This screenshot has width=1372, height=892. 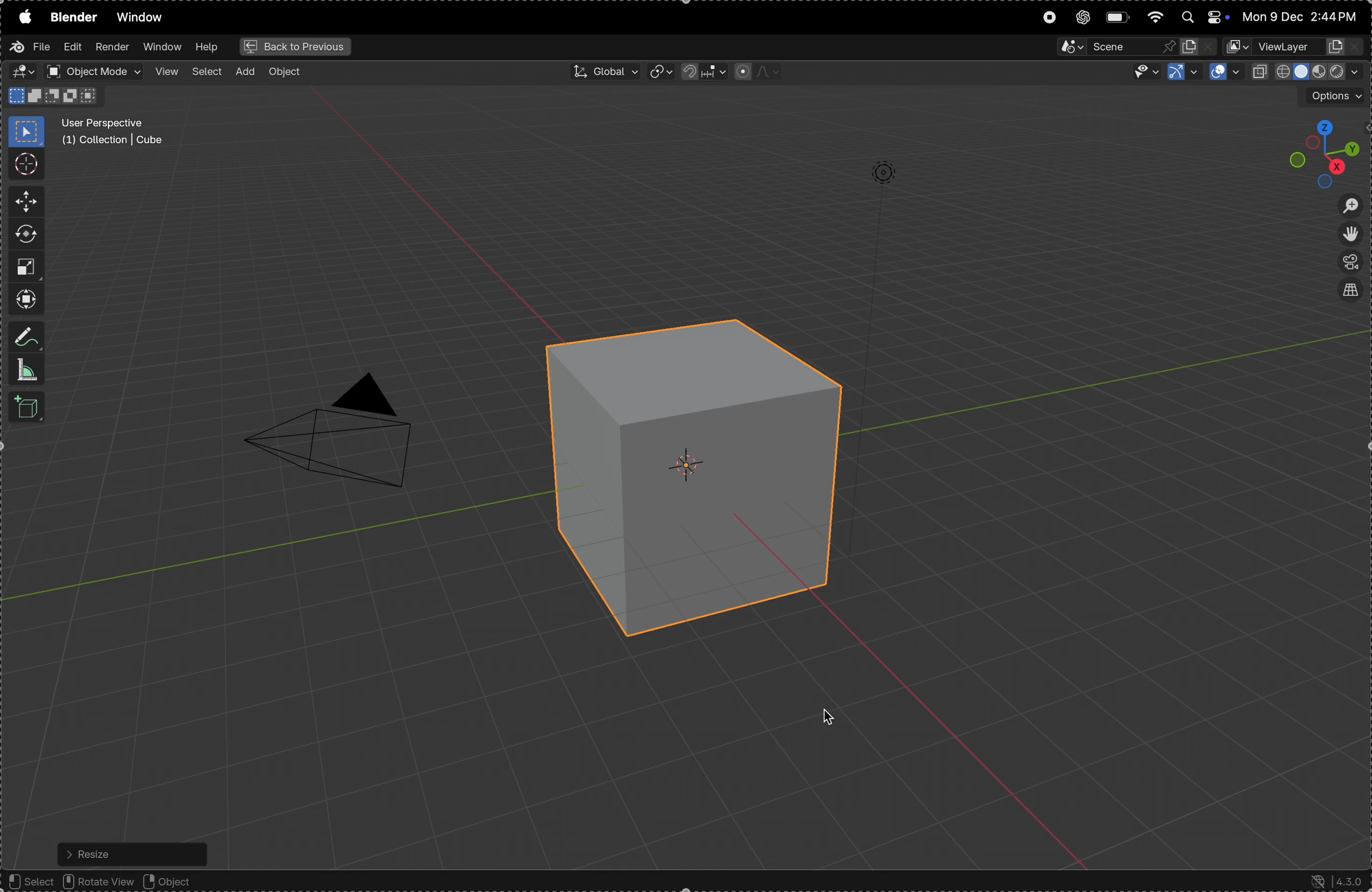 What do you see at coordinates (1352, 235) in the screenshot?
I see `move the view` at bounding box center [1352, 235].